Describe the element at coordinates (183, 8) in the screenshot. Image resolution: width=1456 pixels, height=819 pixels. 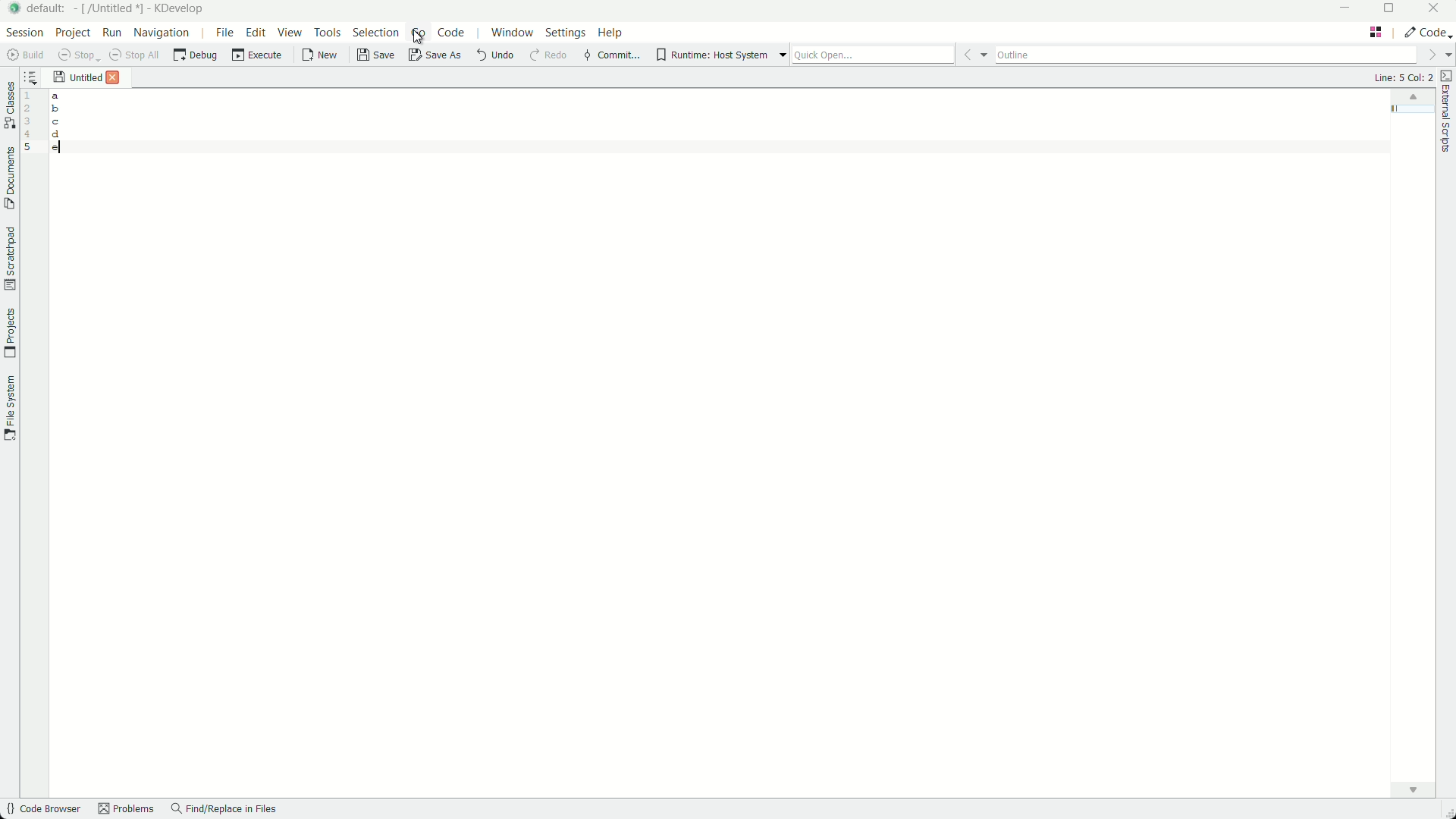
I see `kdevelop` at that location.